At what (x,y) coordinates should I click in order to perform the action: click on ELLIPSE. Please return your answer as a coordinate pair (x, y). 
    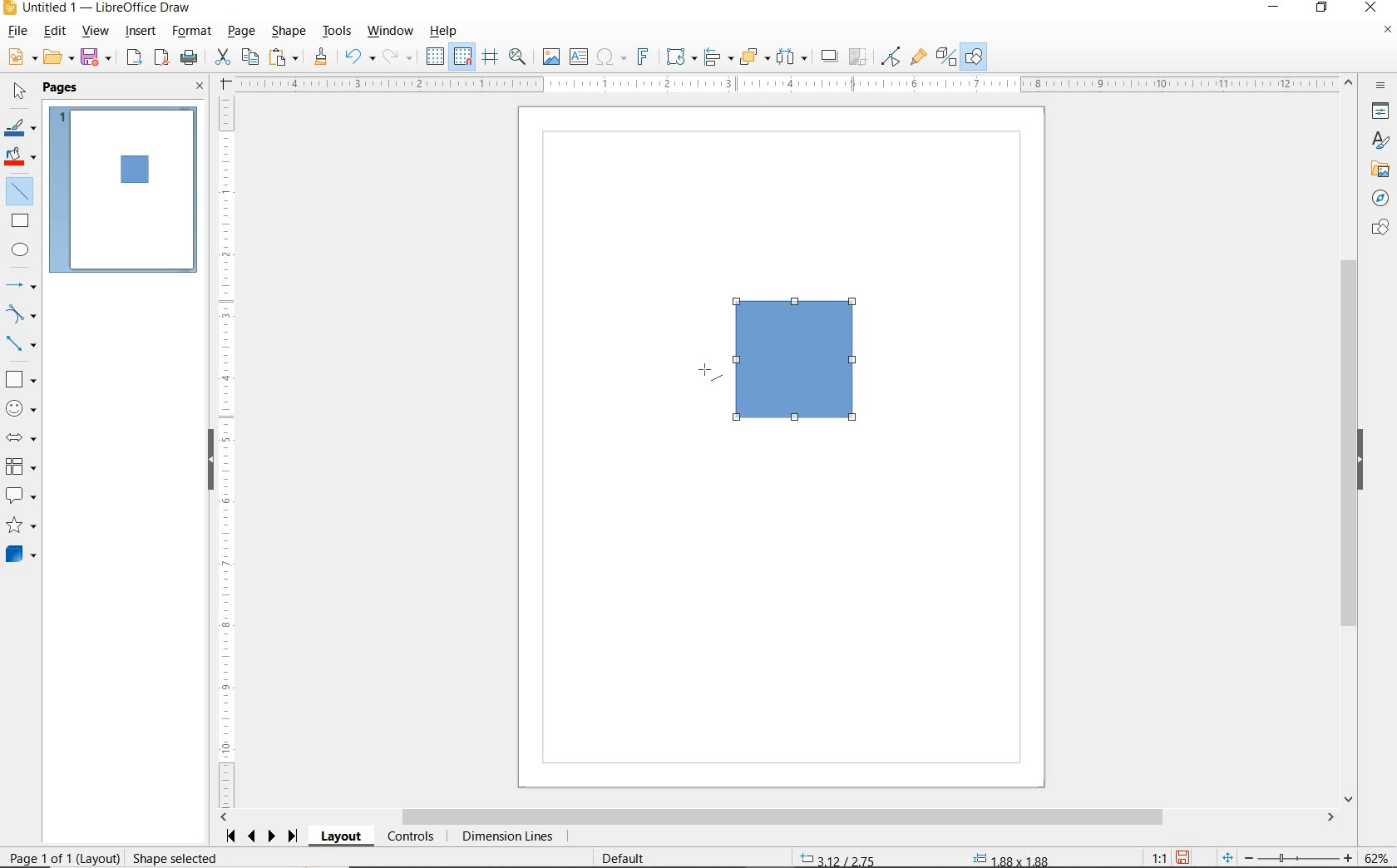
    Looking at the image, I should click on (22, 249).